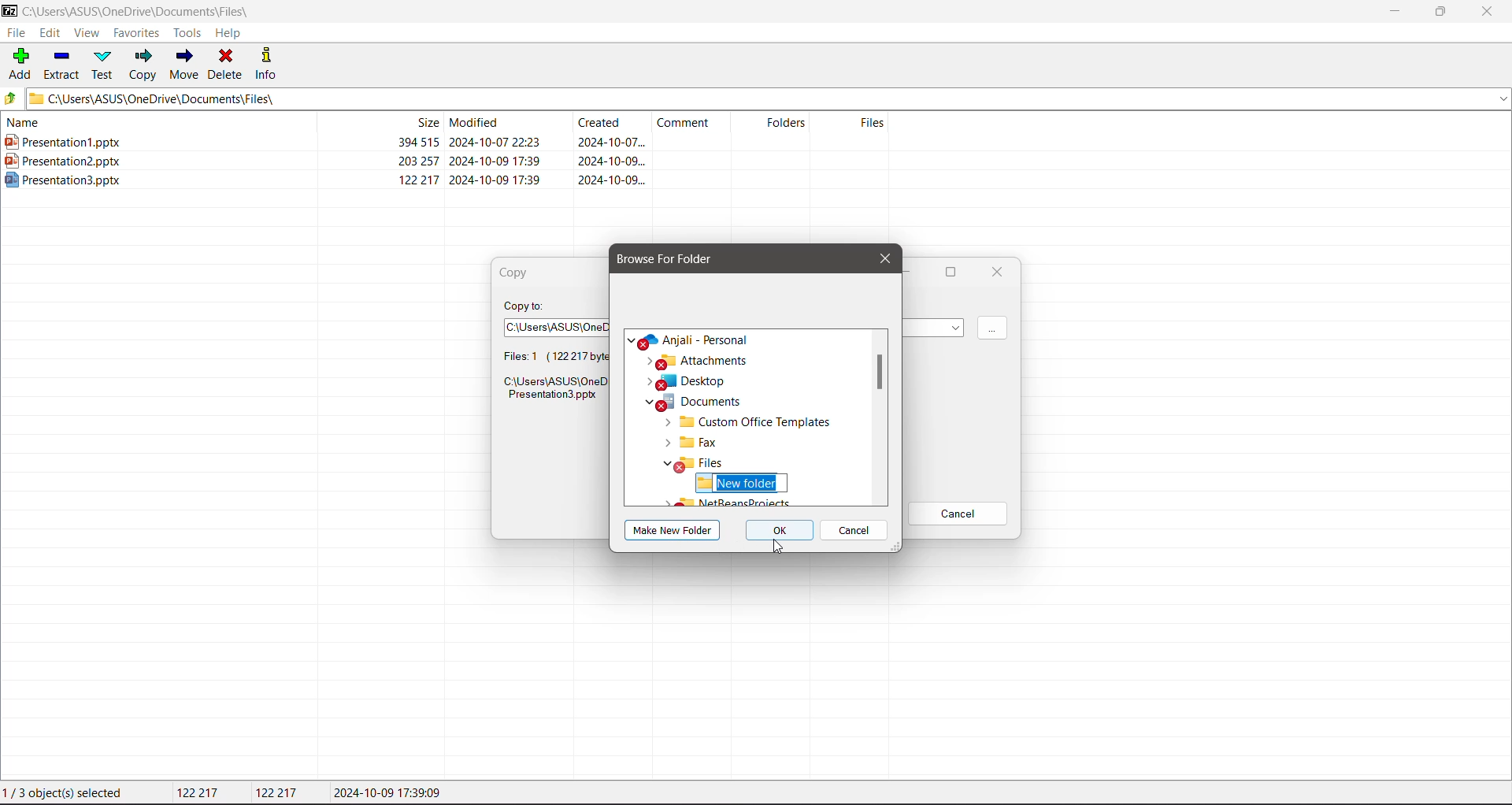  I want to click on Edit, so click(50, 33).